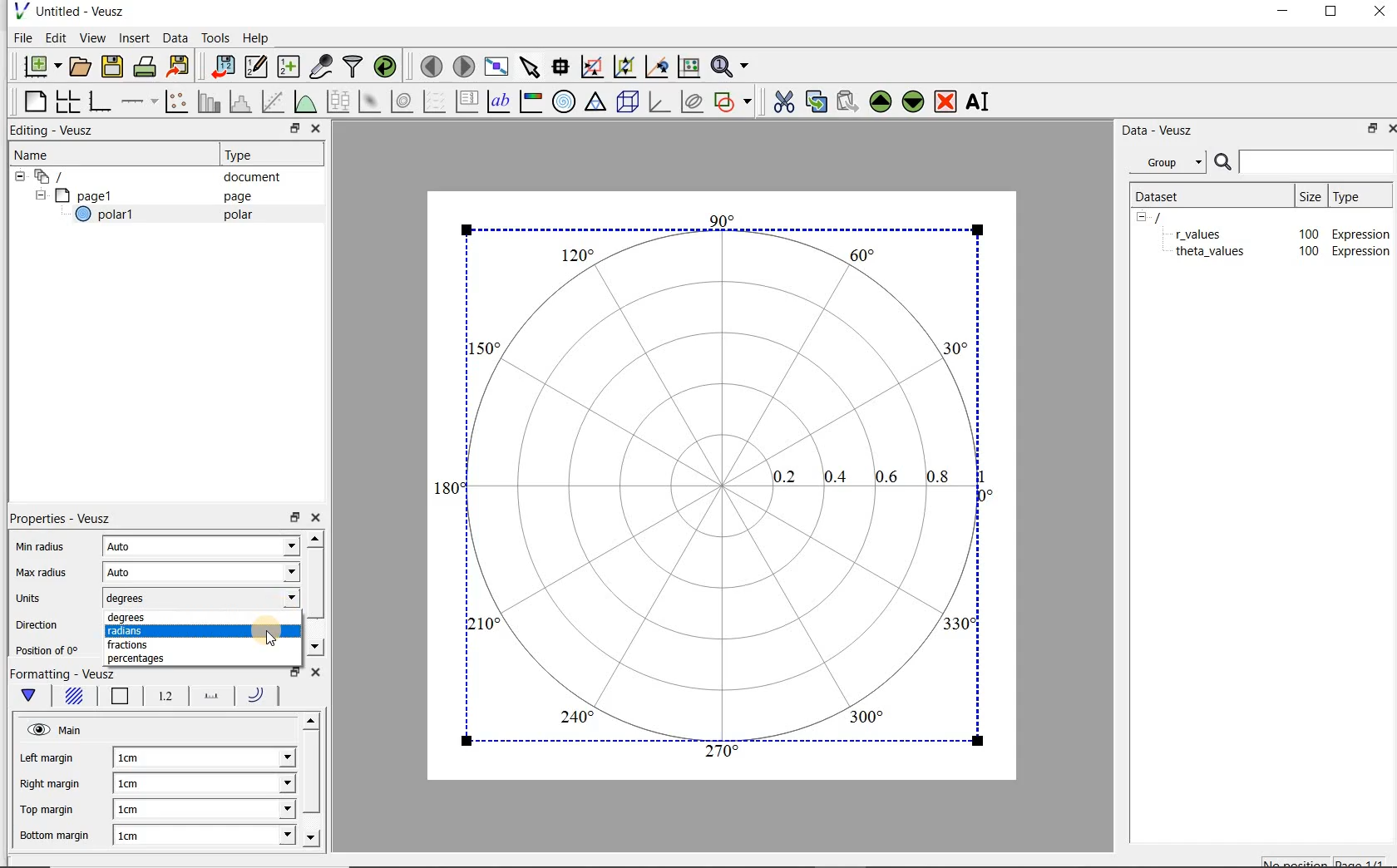  Describe the element at coordinates (658, 67) in the screenshot. I see `click to recenter graph axes` at that location.